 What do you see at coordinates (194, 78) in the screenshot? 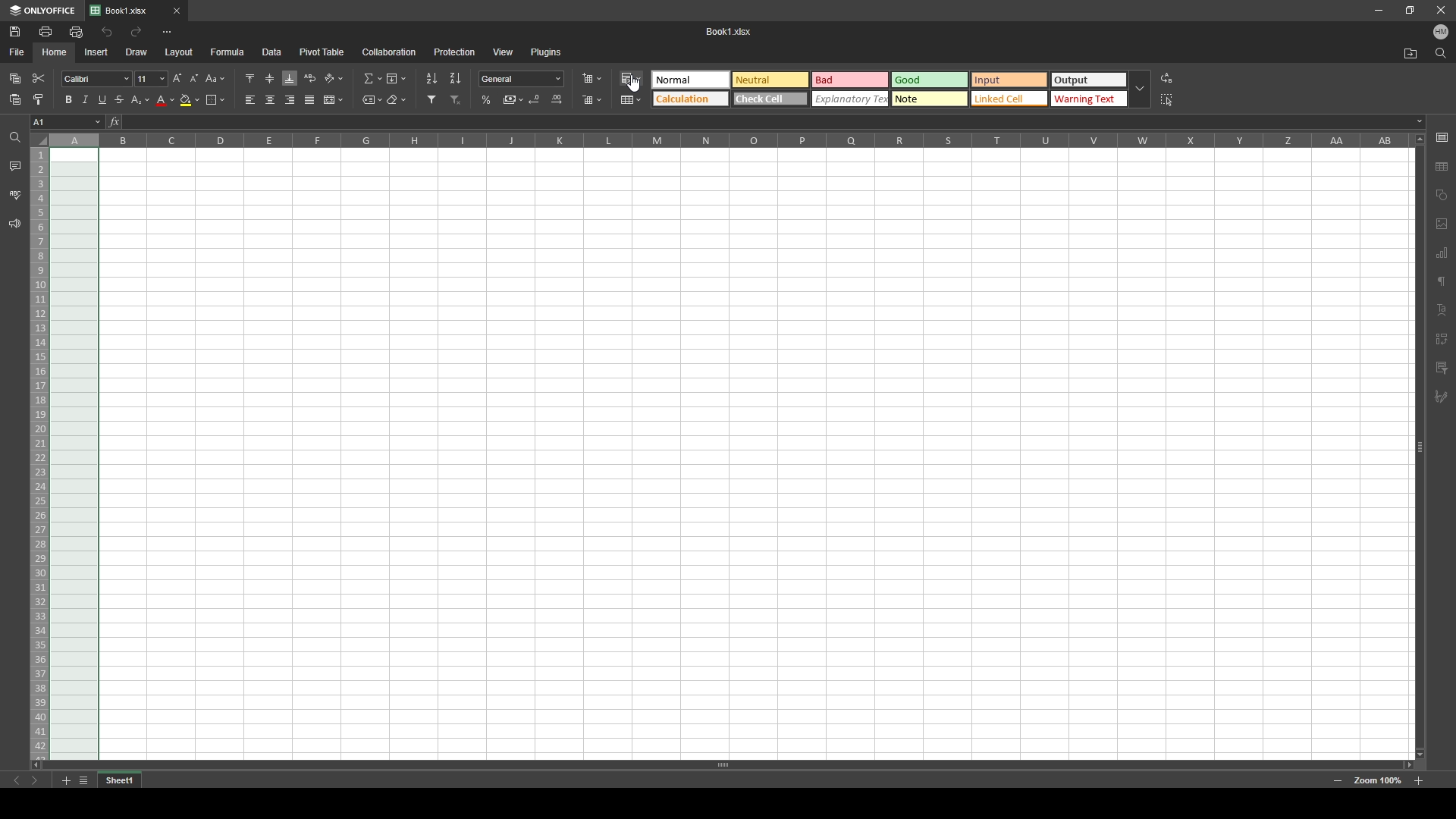
I see `decrement font size` at bounding box center [194, 78].